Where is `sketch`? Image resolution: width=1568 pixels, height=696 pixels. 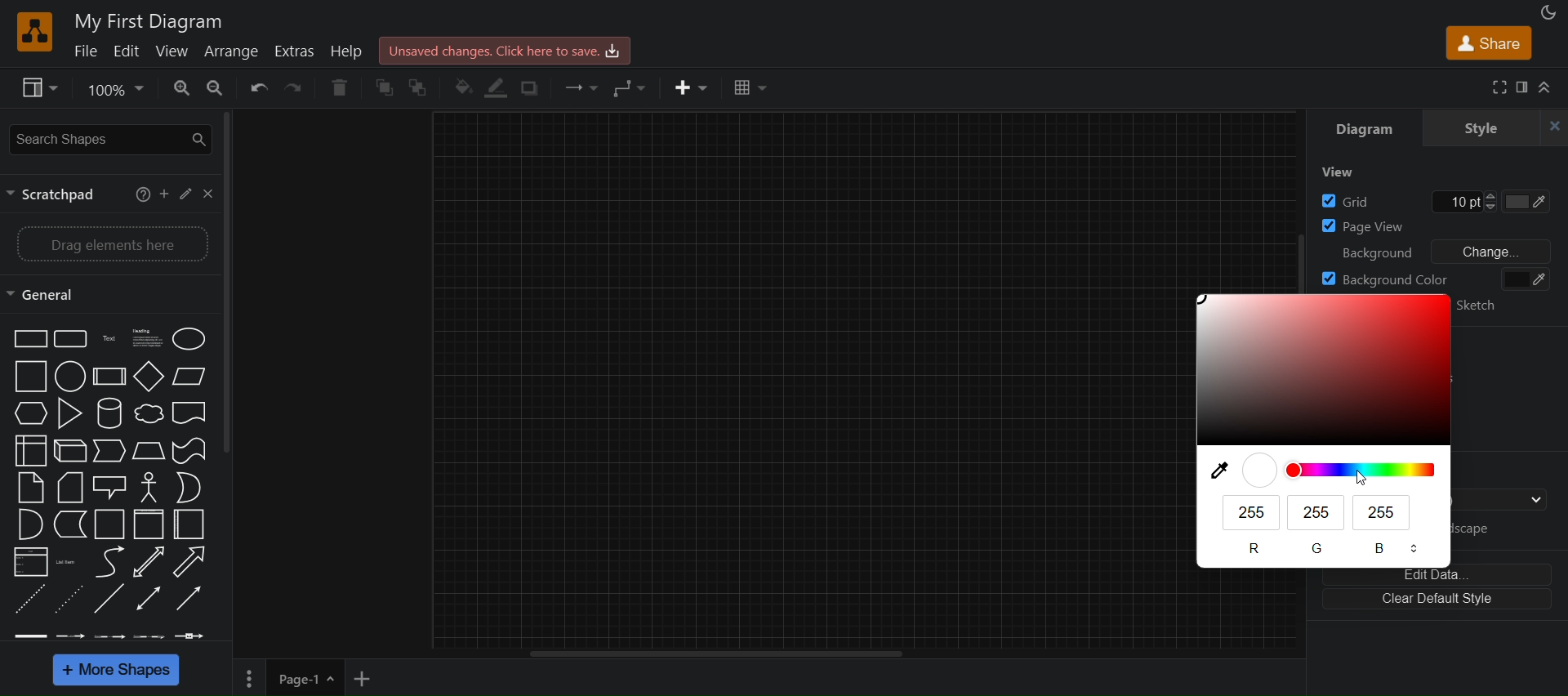 sketch is located at coordinates (1497, 308).